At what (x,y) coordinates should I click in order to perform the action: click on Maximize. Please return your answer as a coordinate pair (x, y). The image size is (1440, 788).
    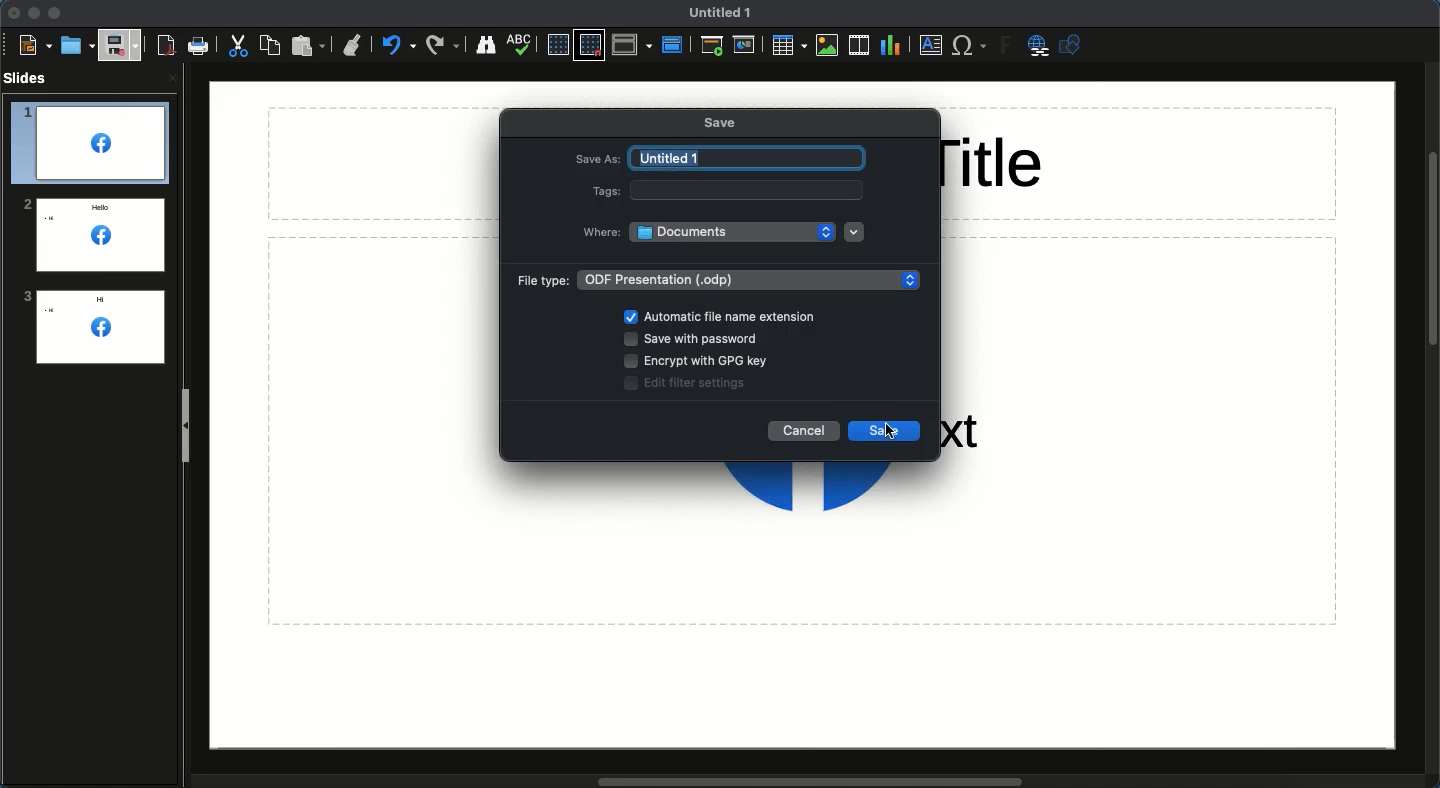
    Looking at the image, I should click on (54, 14).